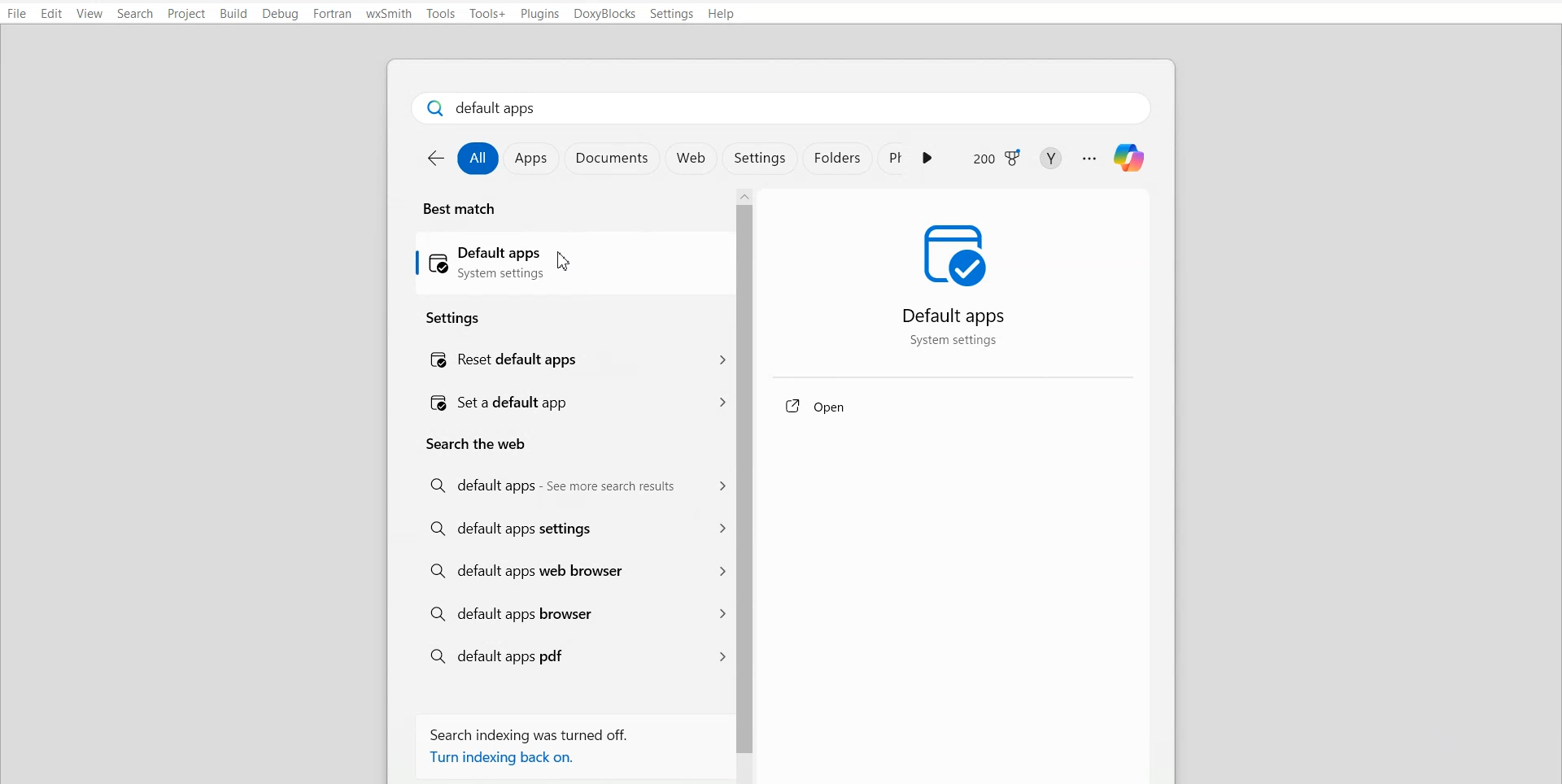 The height and width of the screenshot is (784, 1562). Describe the element at coordinates (334, 14) in the screenshot. I see `Fortran` at that location.